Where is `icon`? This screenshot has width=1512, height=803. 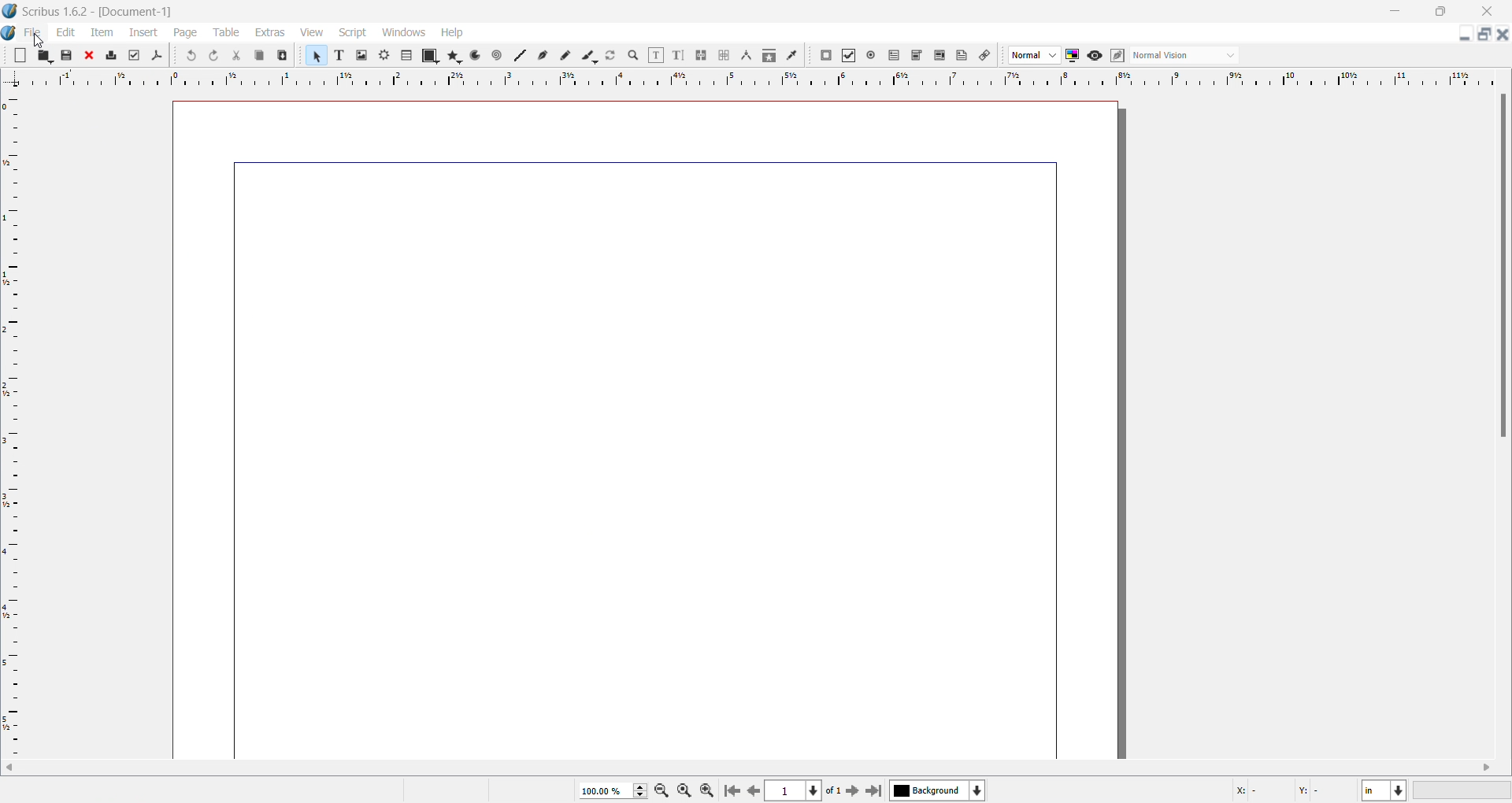
icon is located at coordinates (189, 54).